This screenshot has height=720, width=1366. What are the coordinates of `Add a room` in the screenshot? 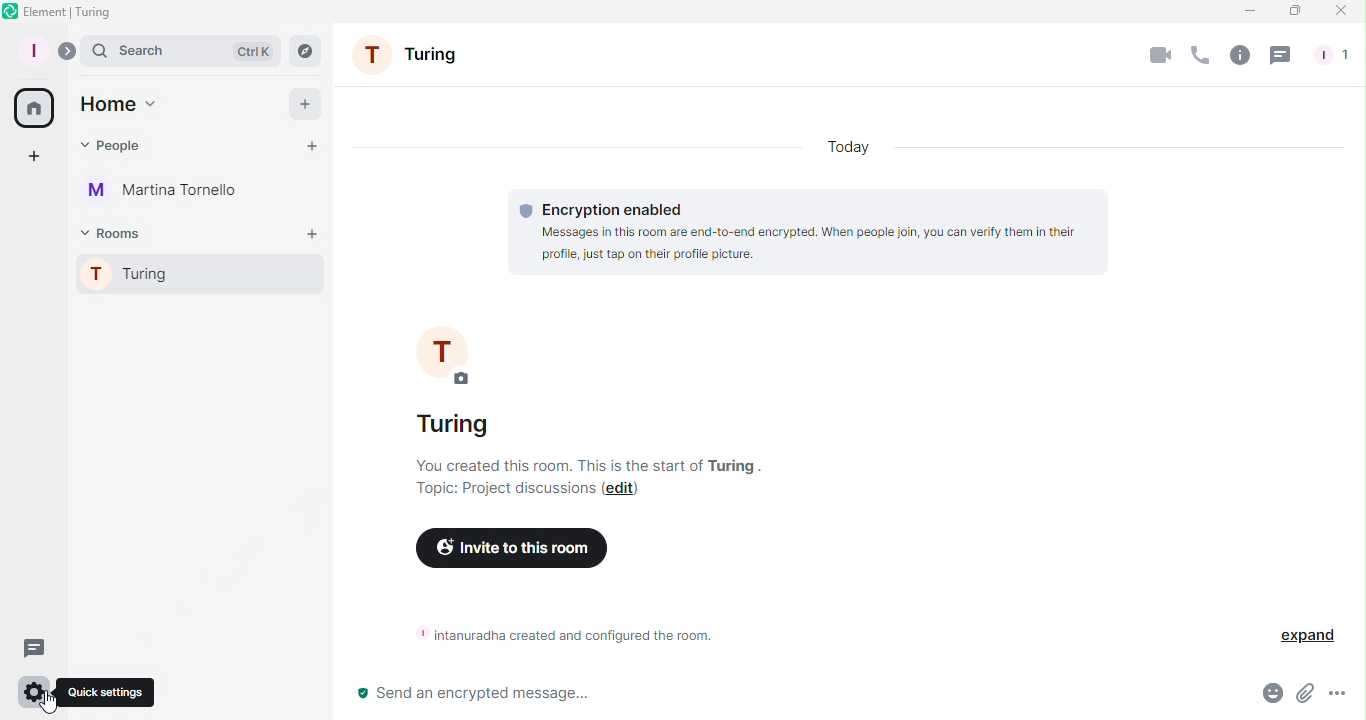 It's located at (311, 236).